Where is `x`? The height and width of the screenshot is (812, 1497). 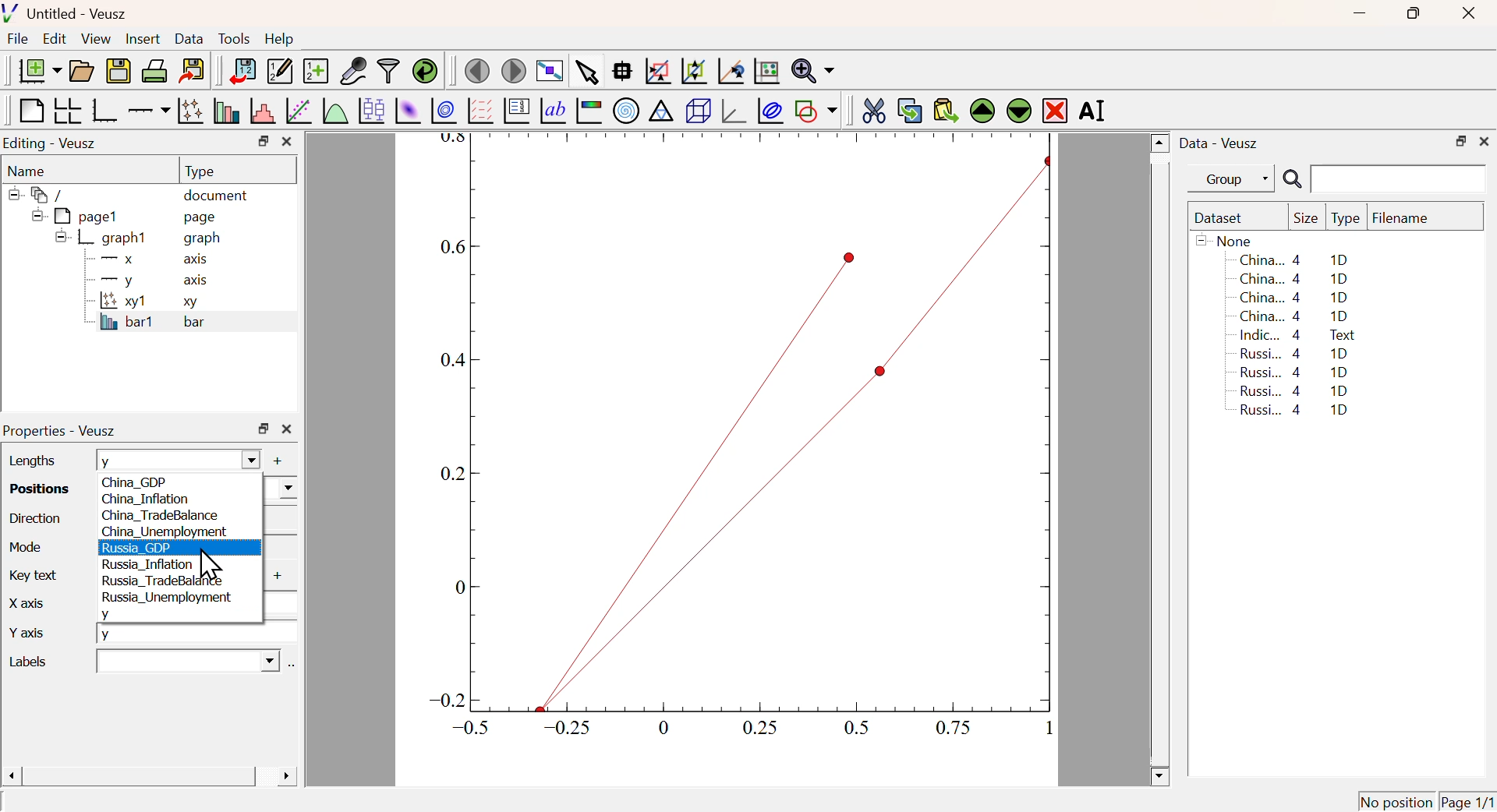
x is located at coordinates (278, 602).